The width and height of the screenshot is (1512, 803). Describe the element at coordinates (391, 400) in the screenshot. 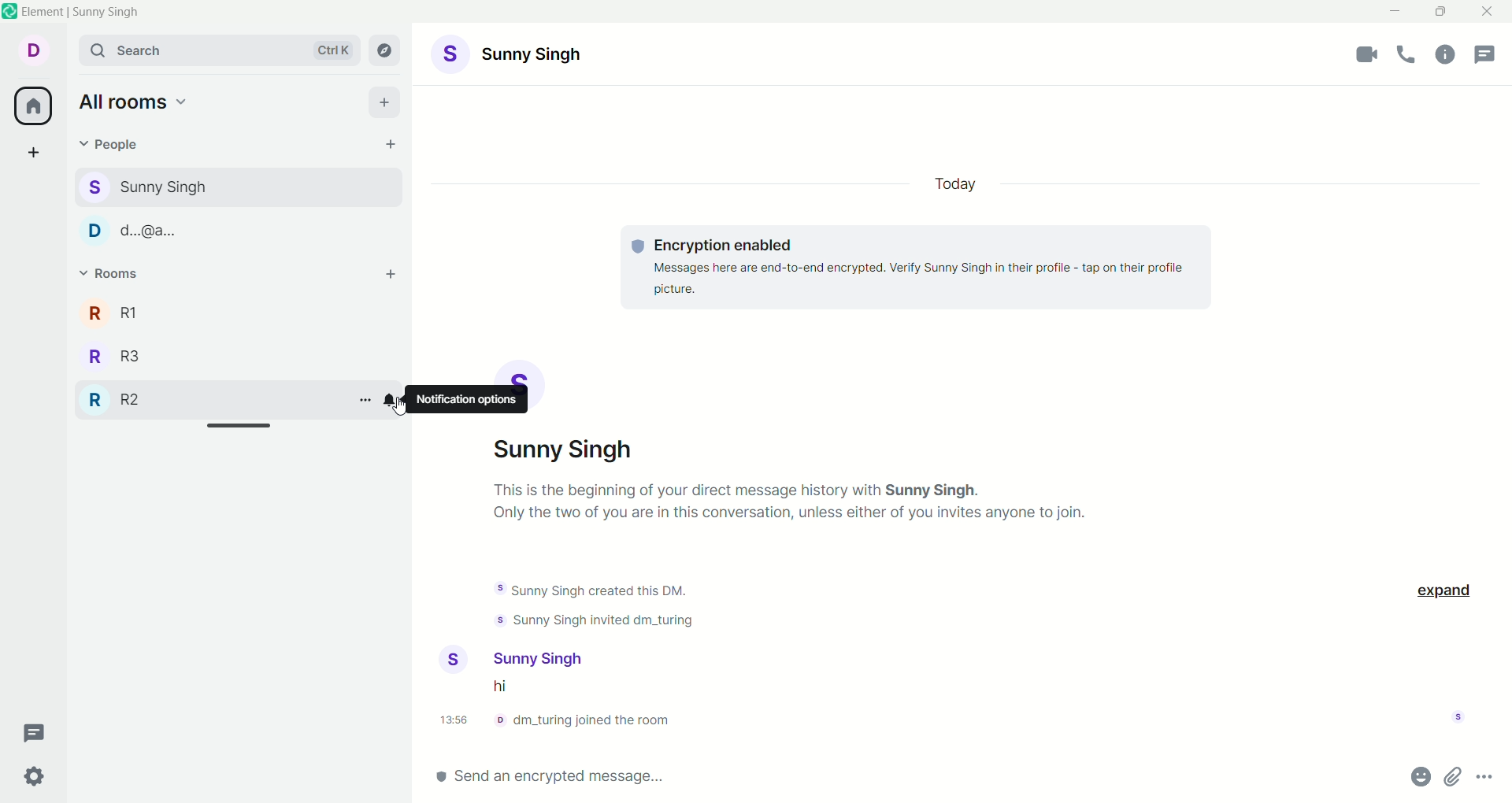

I see `notification` at that location.